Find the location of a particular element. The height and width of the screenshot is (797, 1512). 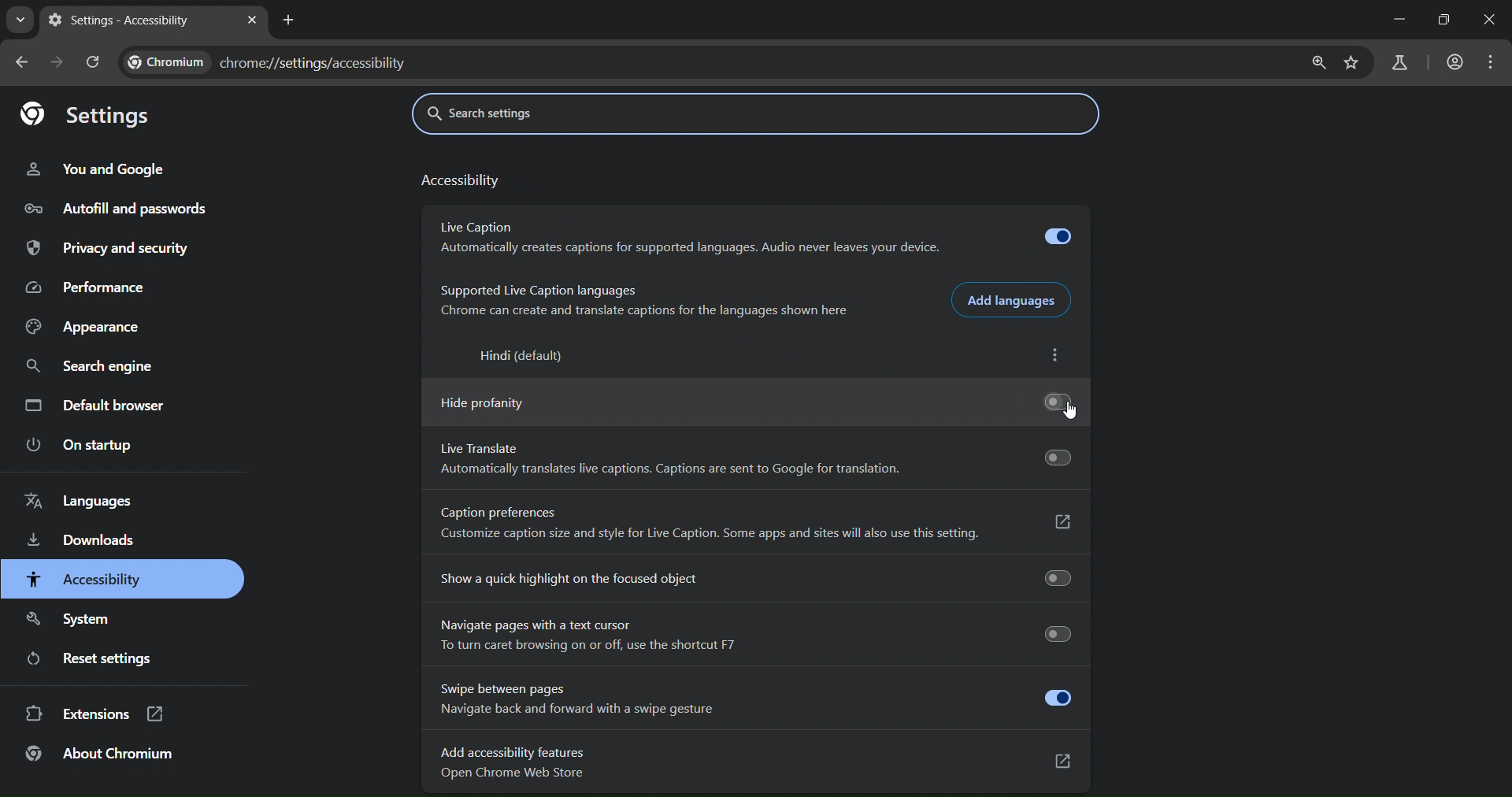

you and google is located at coordinates (94, 169).